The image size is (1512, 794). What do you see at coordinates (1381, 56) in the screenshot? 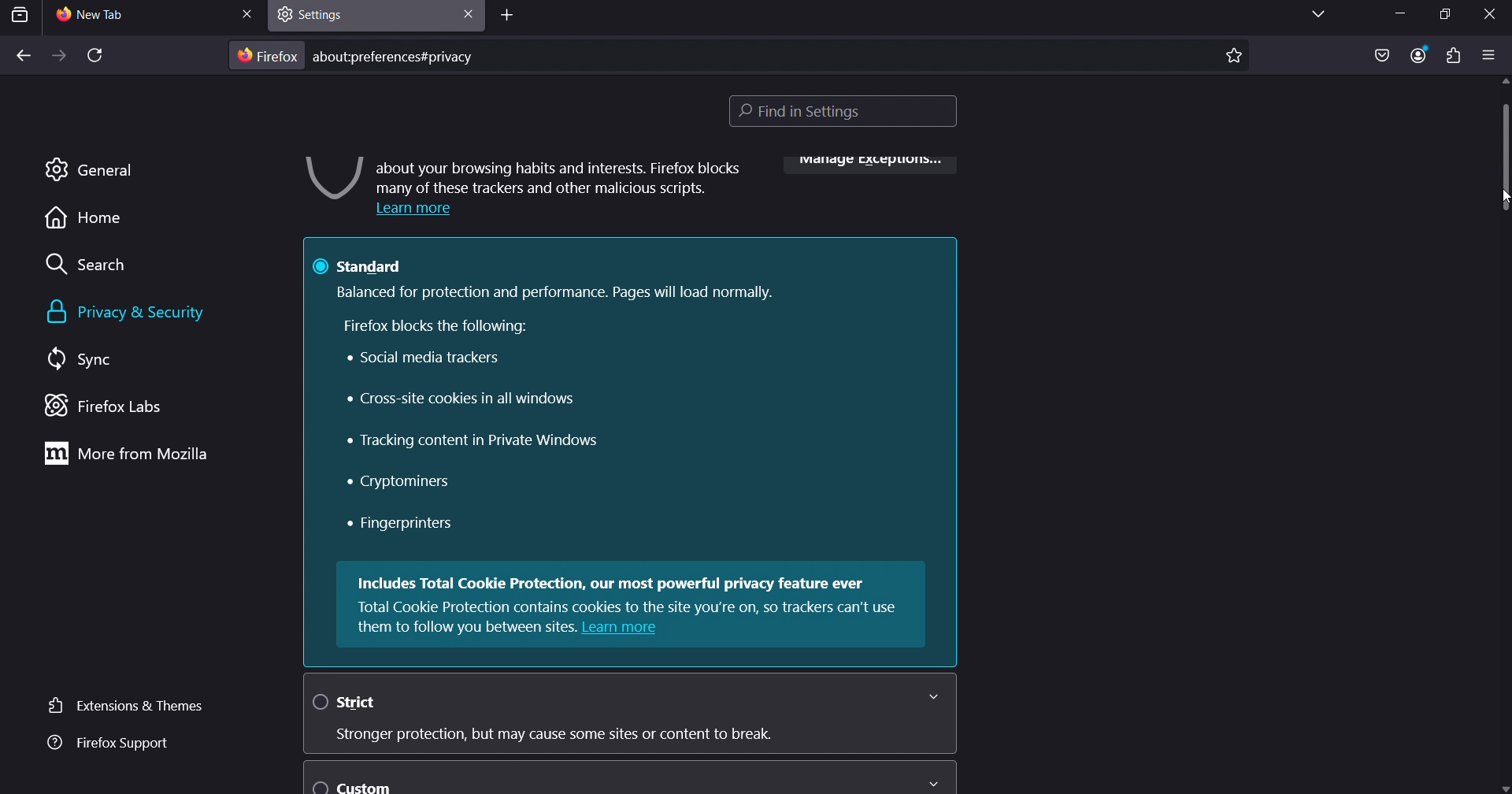
I see `save as pocket` at bounding box center [1381, 56].